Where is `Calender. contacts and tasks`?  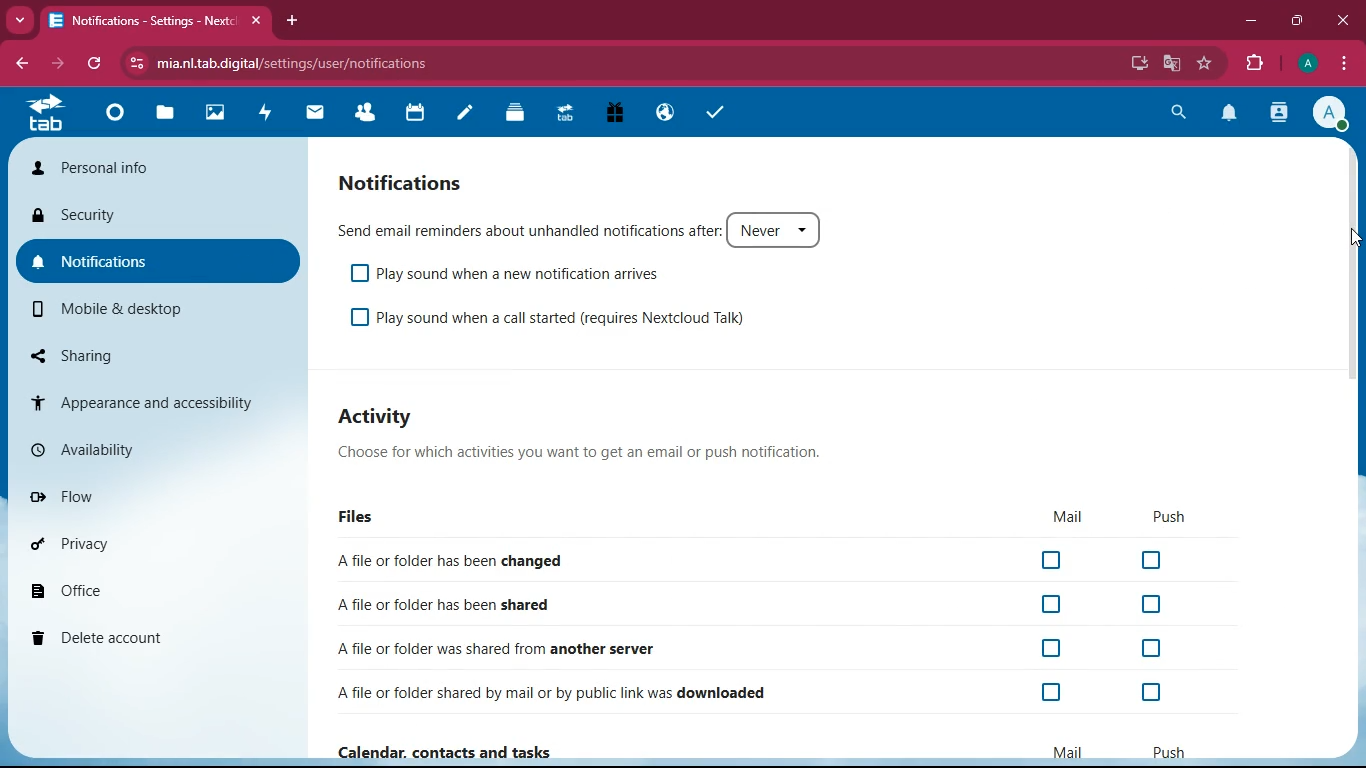
Calender. contacts and tasks is located at coordinates (443, 752).